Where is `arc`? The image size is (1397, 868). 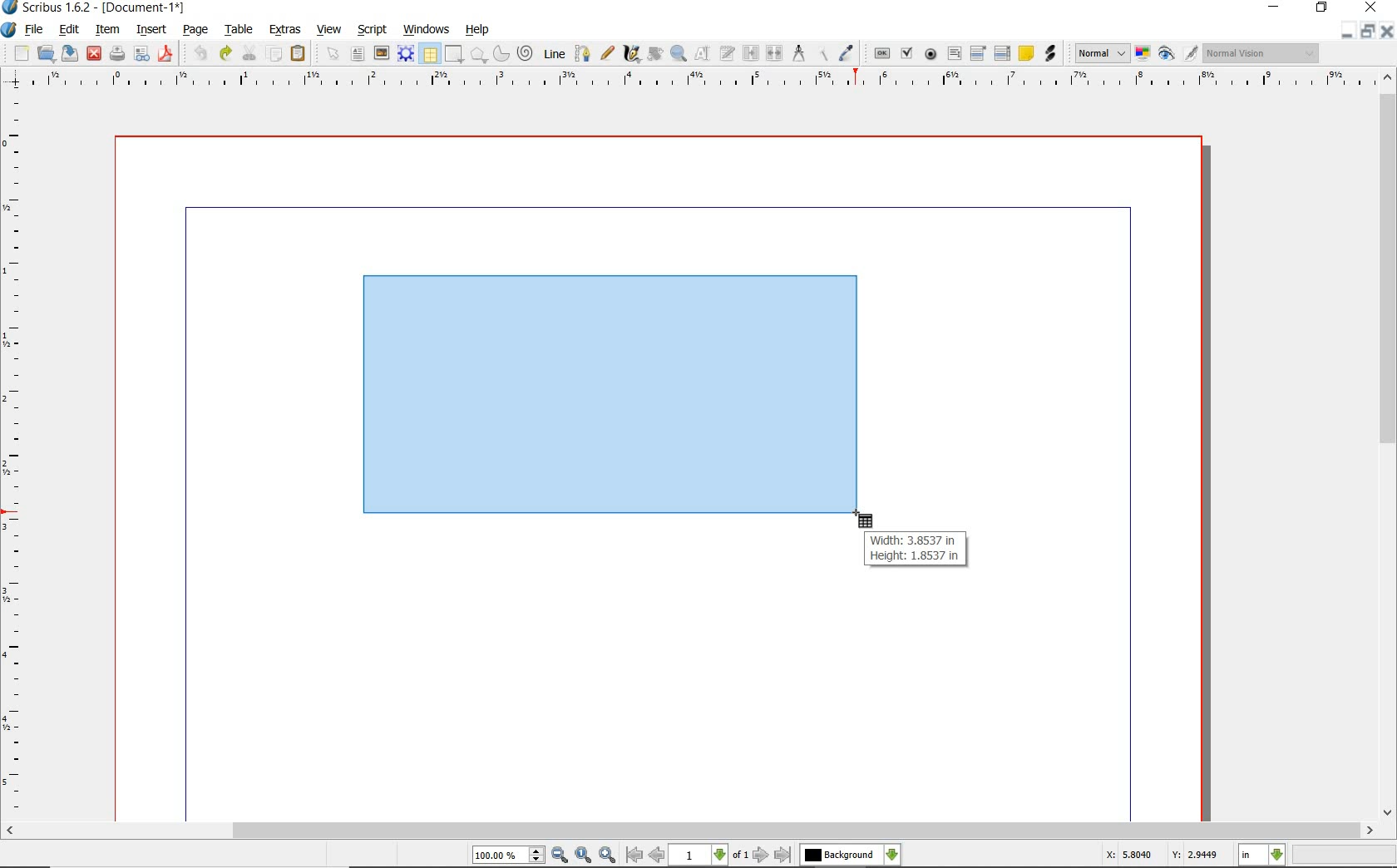 arc is located at coordinates (503, 55).